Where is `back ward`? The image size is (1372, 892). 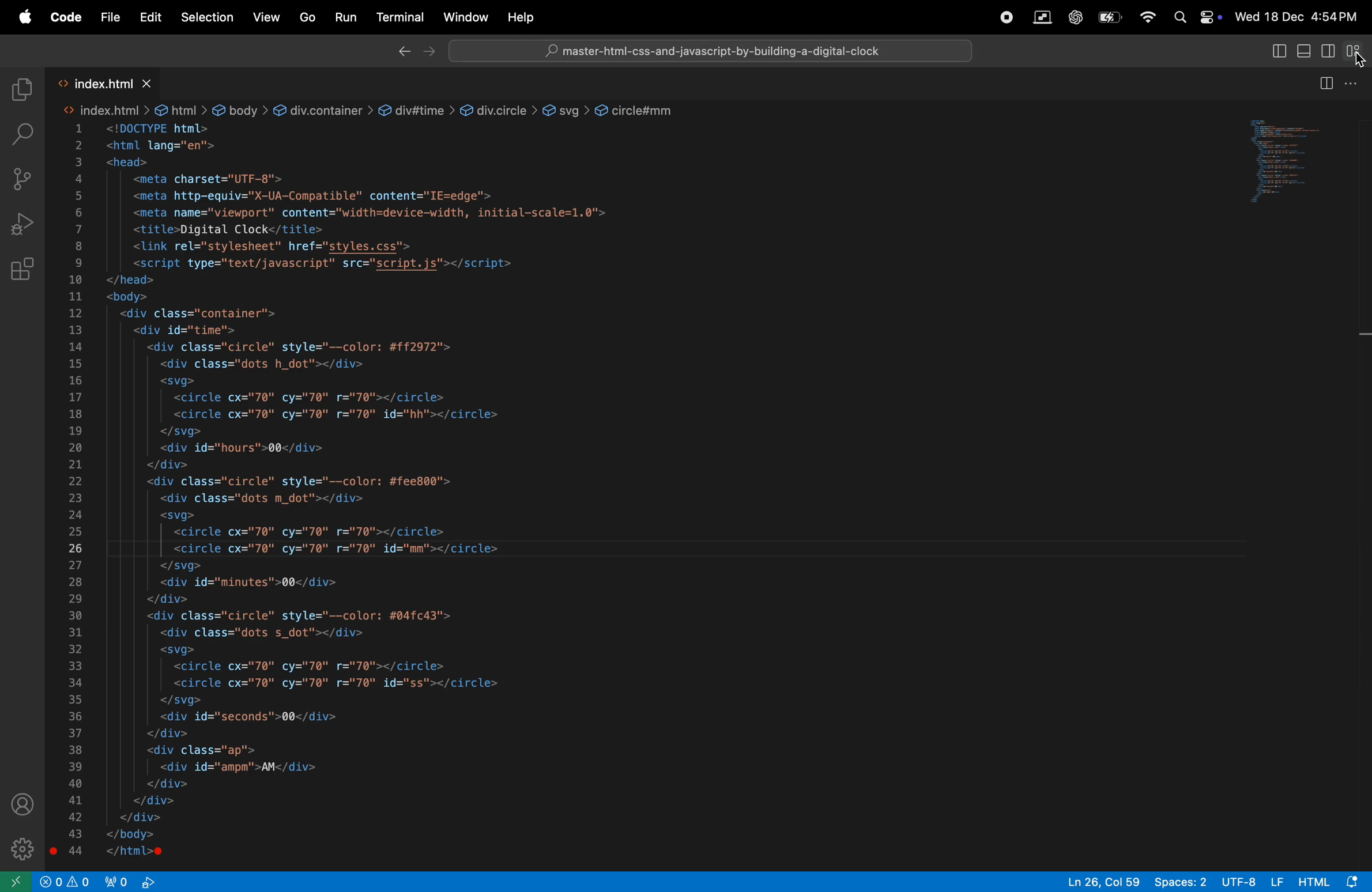
back ward is located at coordinates (404, 52).